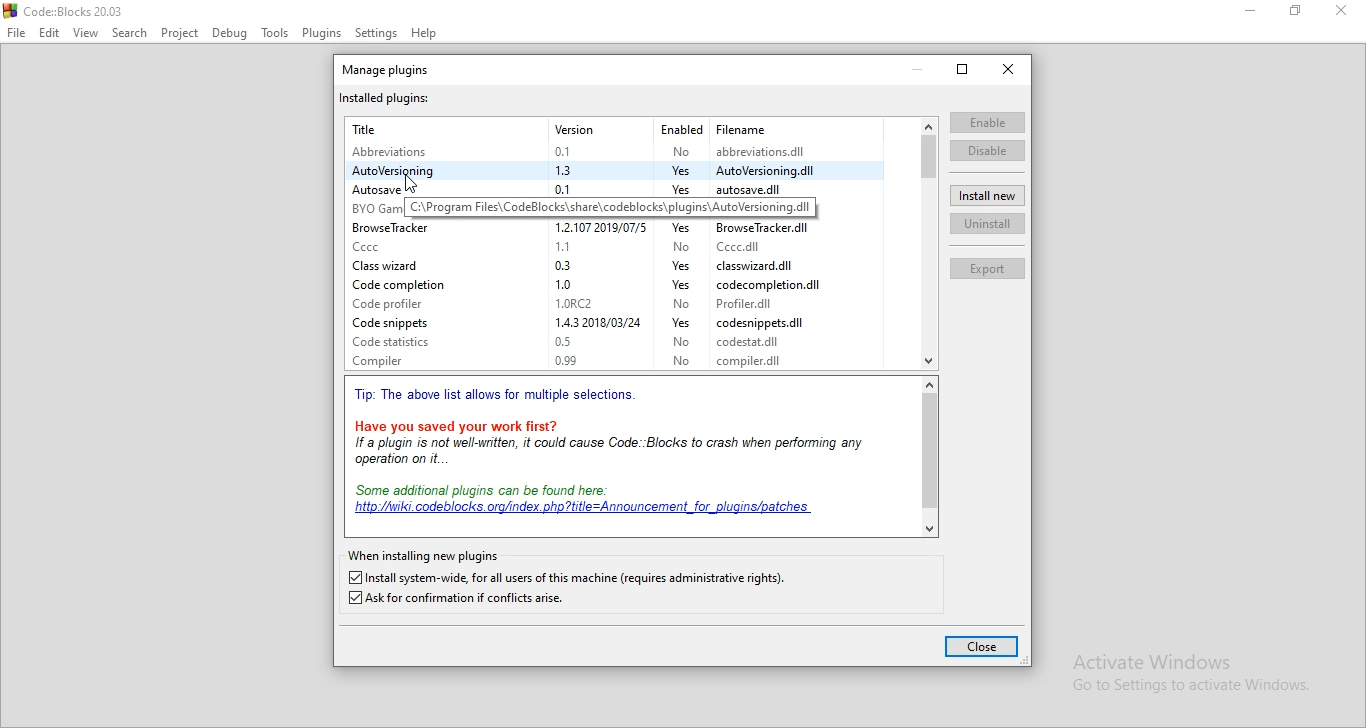 The width and height of the screenshot is (1366, 728). Describe the element at coordinates (760, 267) in the screenshot. I see `classwizard.dil` at that location.